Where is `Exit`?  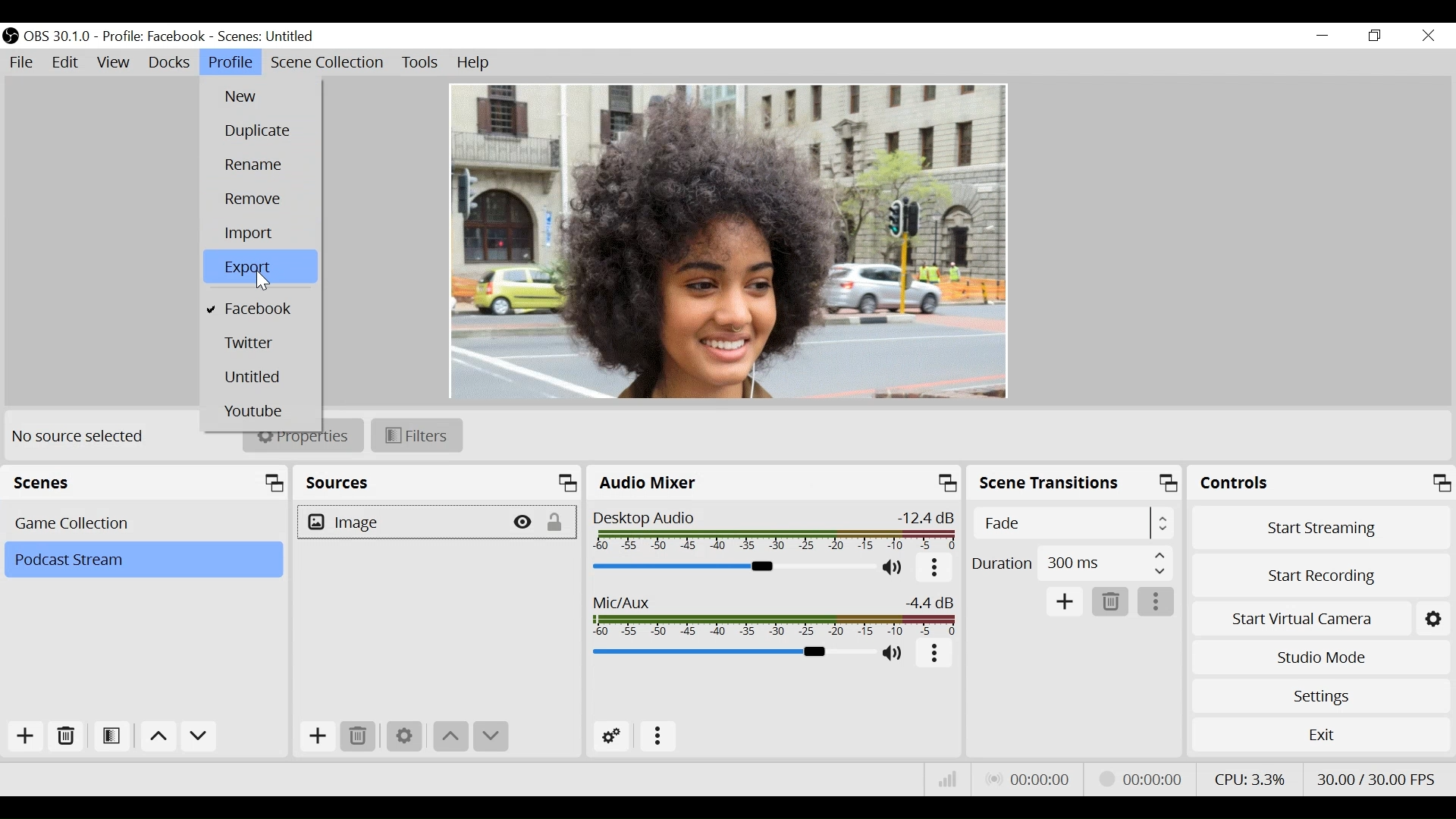 Exit is located at coordinates (1319, 733).